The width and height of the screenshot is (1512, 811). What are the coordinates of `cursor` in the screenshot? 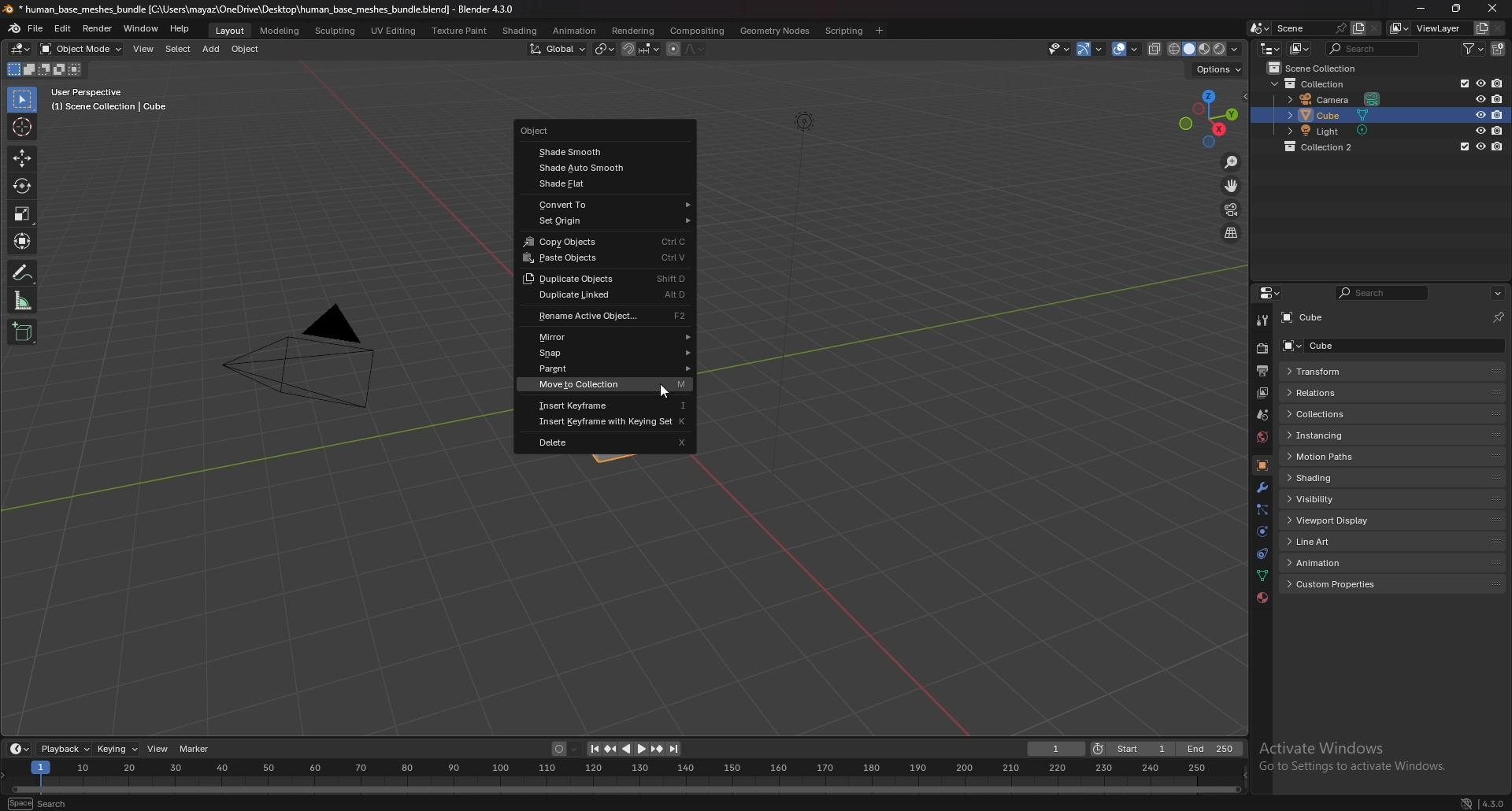 It's located at (22, 127).